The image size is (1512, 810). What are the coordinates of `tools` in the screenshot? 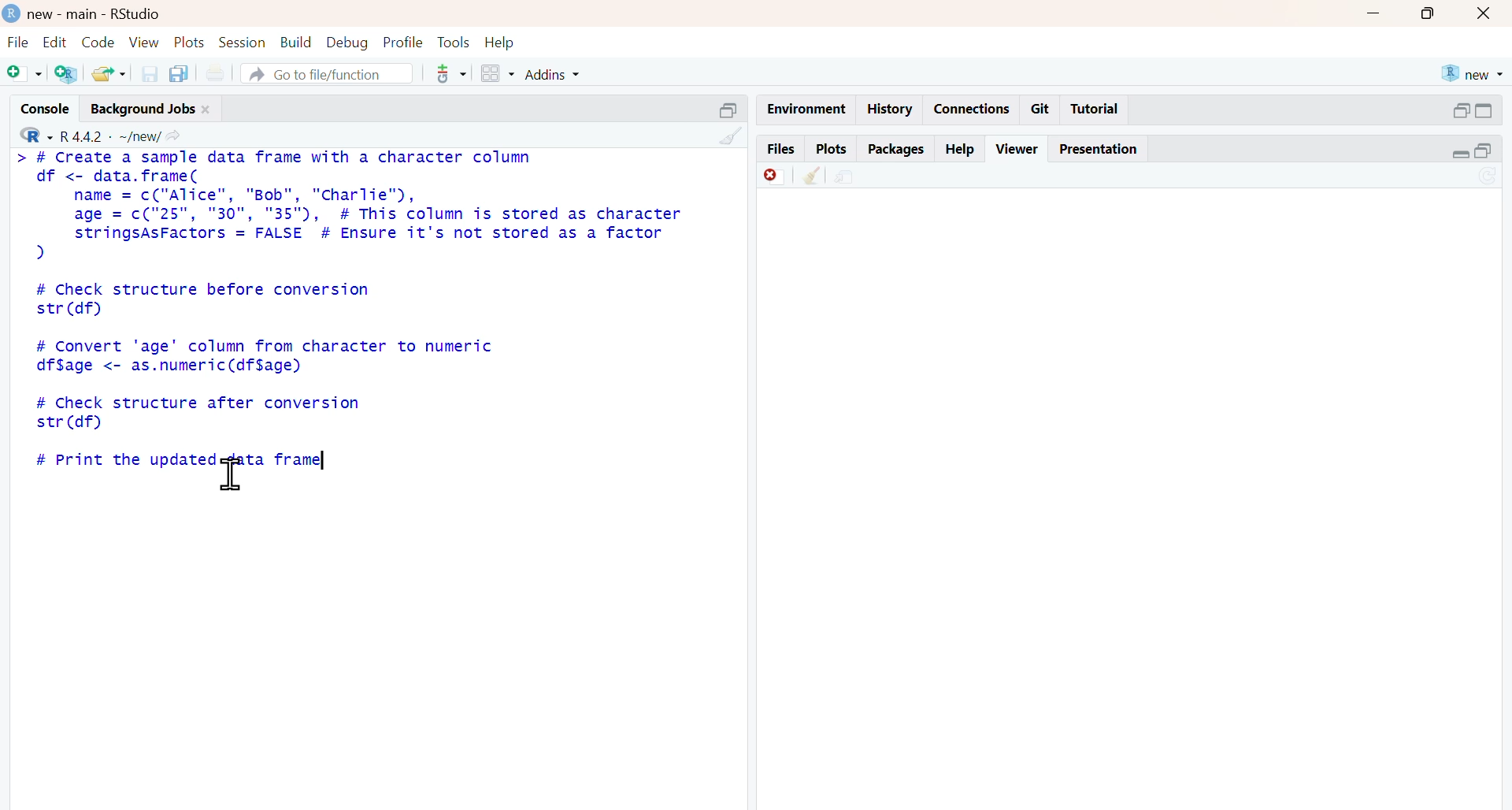 It's located at (457, 43).